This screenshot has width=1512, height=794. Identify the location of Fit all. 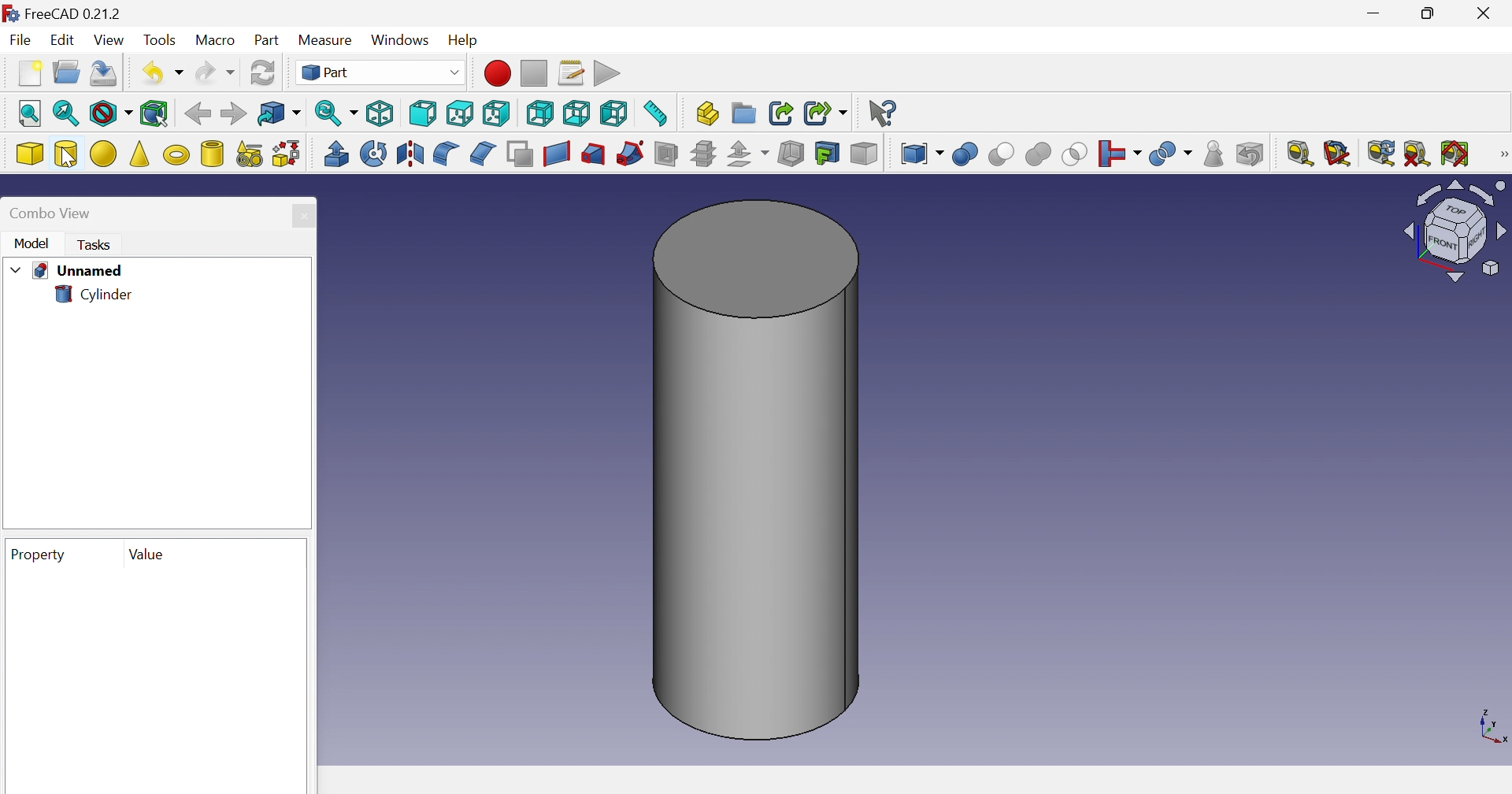
(29, 110).